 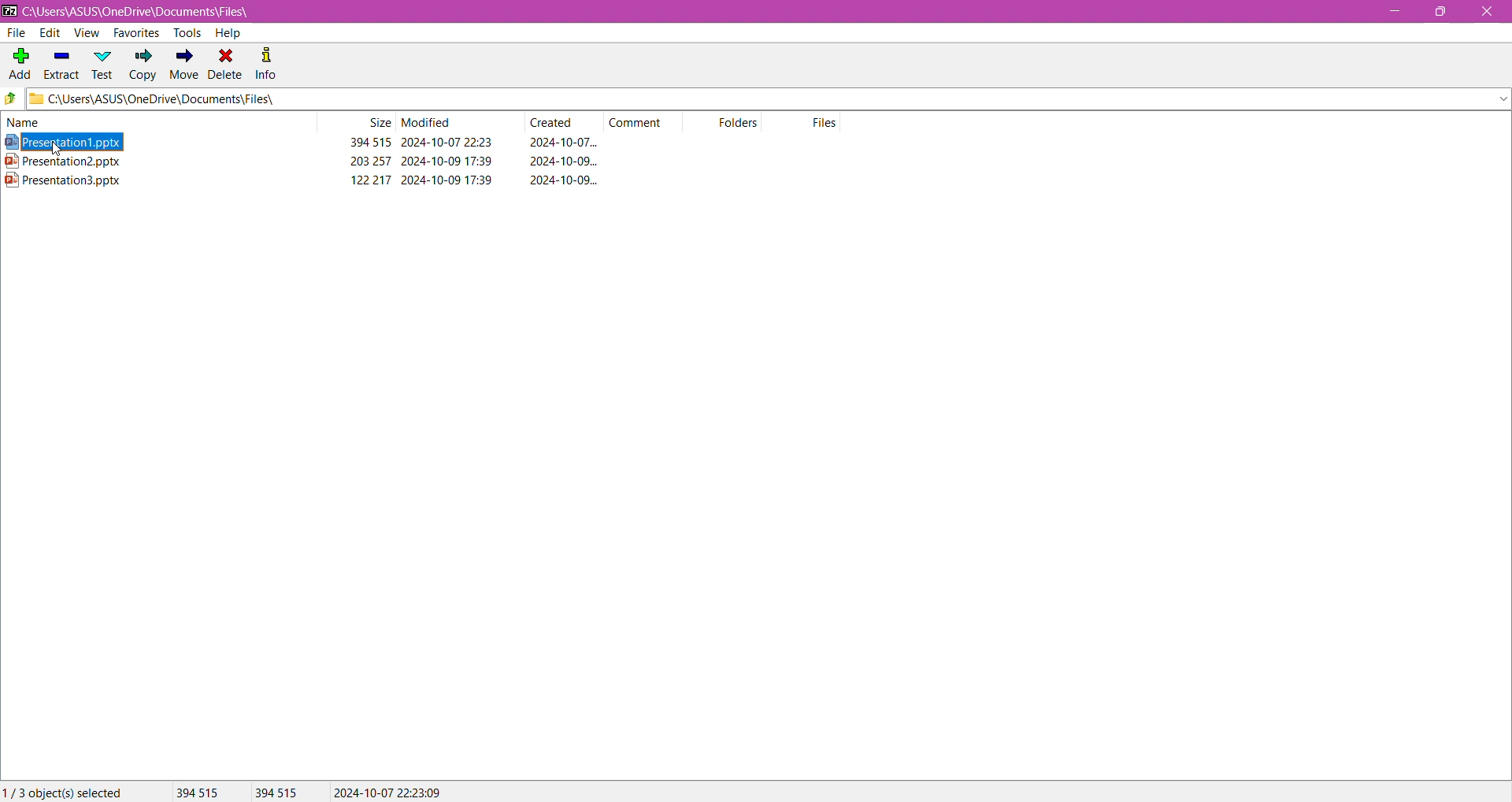 I want to click on File, so click(x=18, y=33).